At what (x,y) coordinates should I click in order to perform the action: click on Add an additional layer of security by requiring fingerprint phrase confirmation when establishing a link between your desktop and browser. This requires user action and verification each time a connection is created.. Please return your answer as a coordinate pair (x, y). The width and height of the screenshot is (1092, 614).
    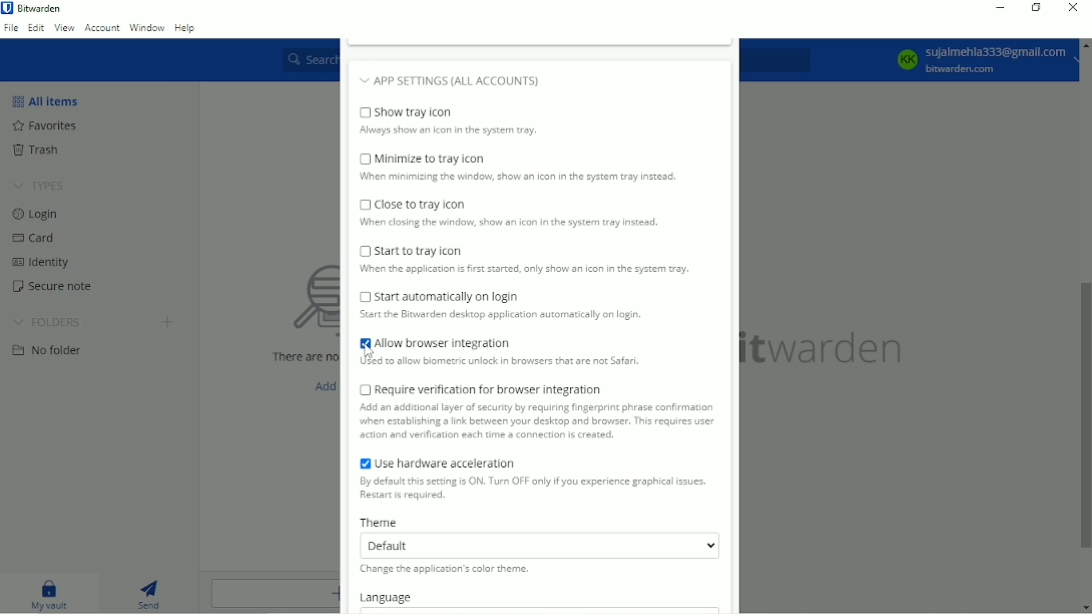
    Looking at the image, I should click on (539, 423).